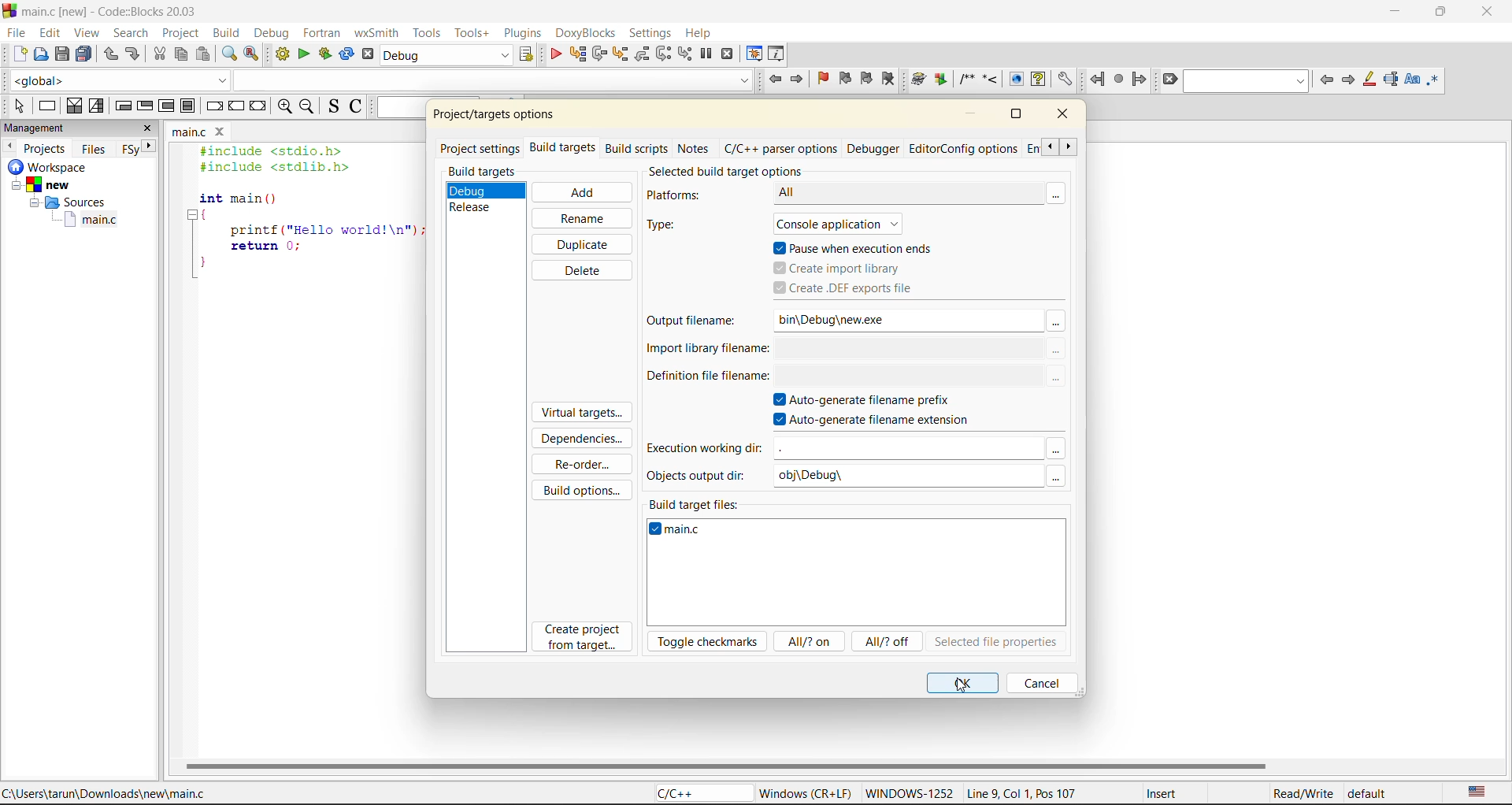 The width and height of the screenshot is (1512, 805). What do you see at coordinates (258, 107) in the screenshot?
I see `return instruction` at bounding box center [258, 107].